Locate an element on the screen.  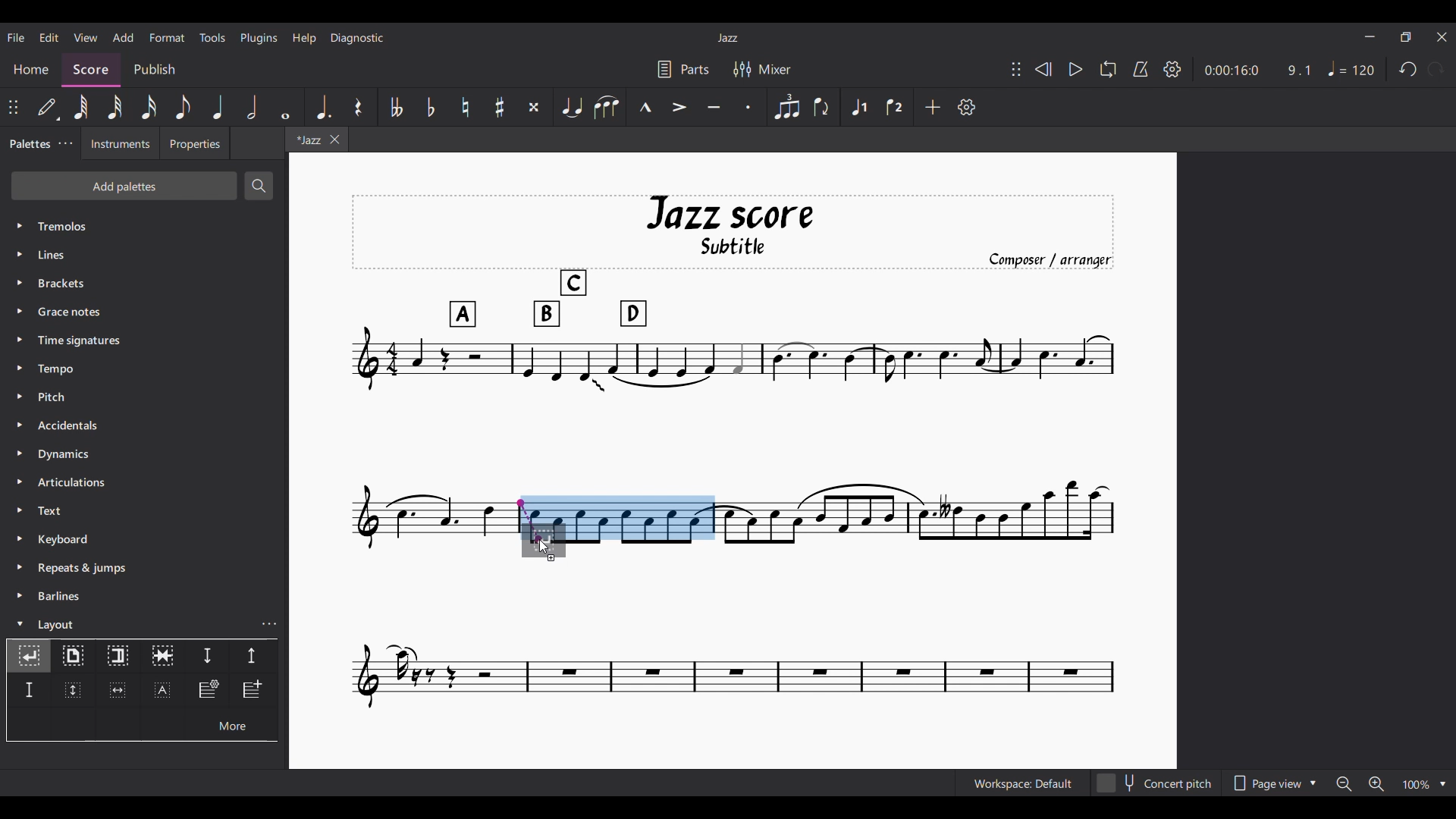
Barlines is located at coordinates (144, 596).